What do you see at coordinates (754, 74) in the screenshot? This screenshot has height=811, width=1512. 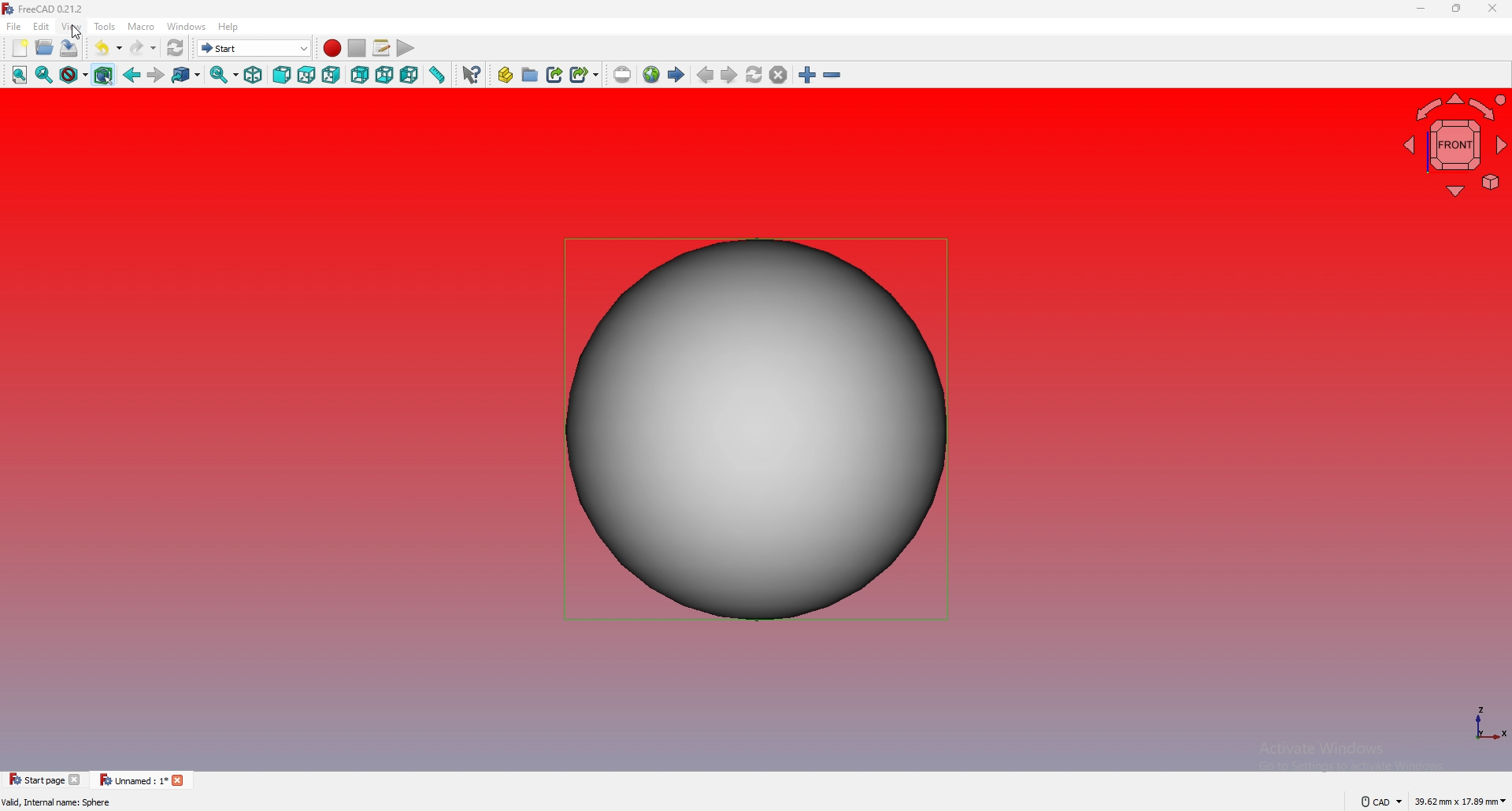 I see `refresh webpage` at bounding box center [754, 74].